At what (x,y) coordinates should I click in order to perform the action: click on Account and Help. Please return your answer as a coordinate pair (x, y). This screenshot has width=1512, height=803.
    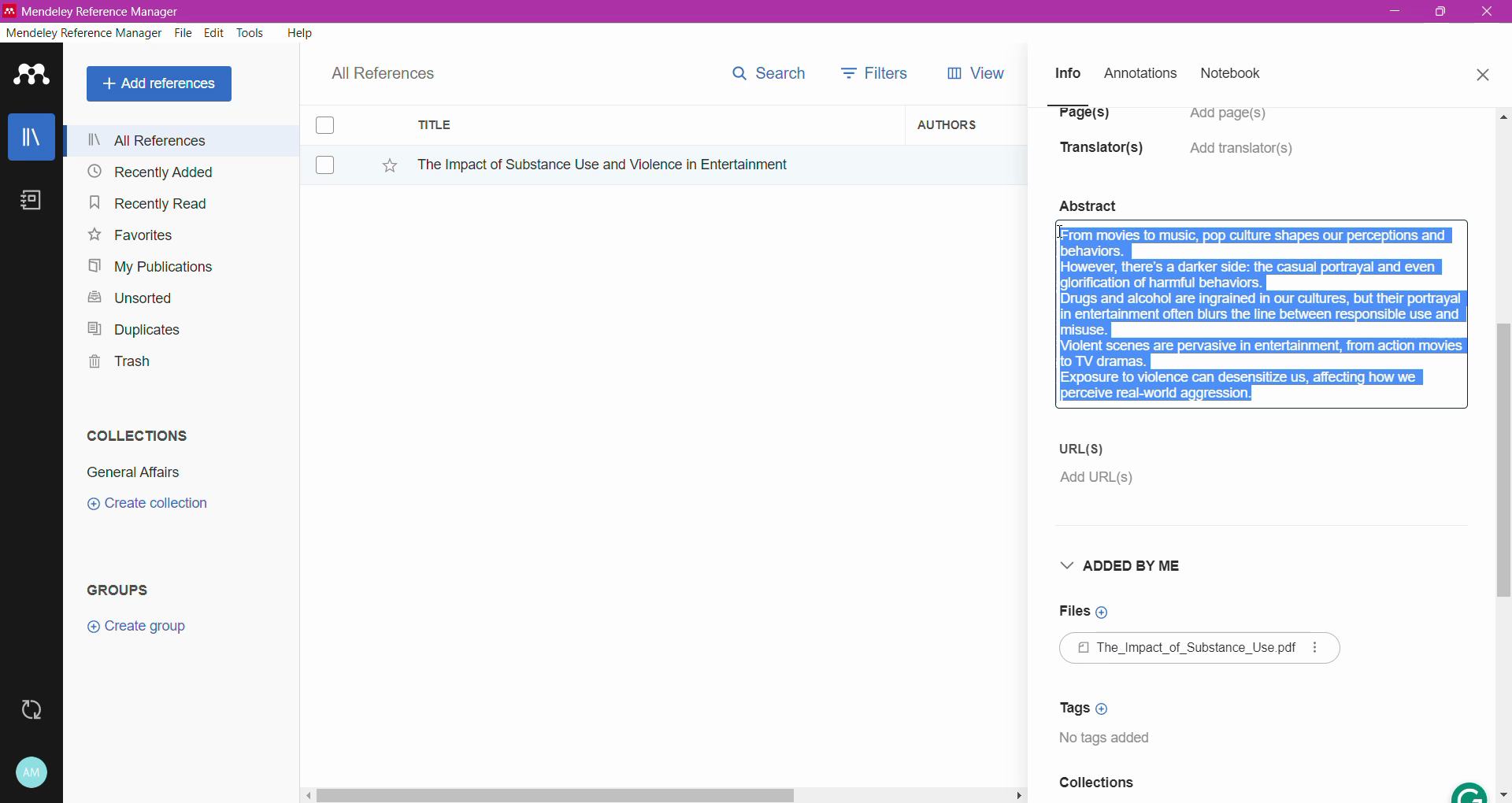
    Looking at the image, I should click on (43, 773).